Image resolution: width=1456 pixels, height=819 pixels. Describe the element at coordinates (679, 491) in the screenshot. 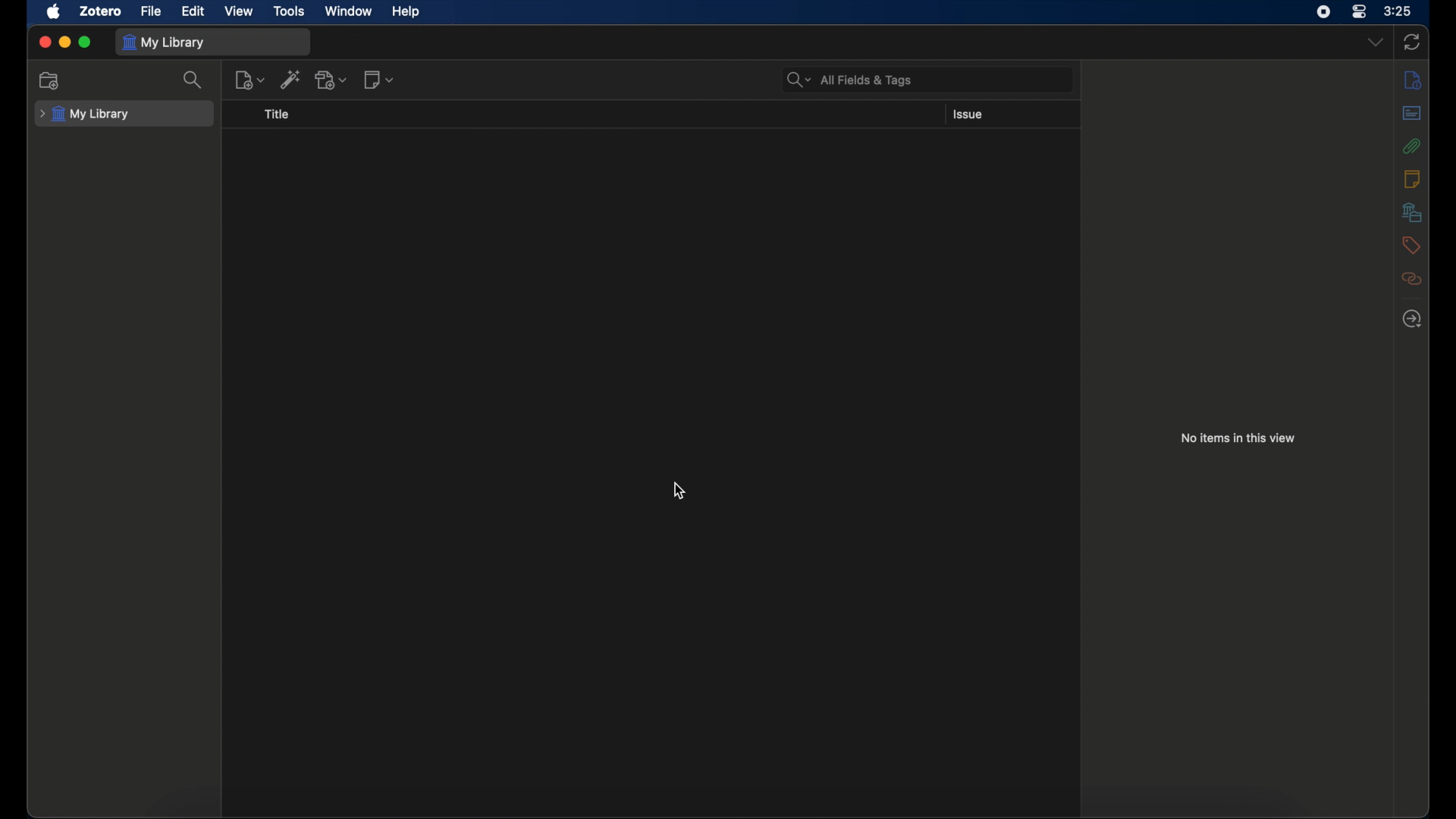

I see `cursor` at that location.